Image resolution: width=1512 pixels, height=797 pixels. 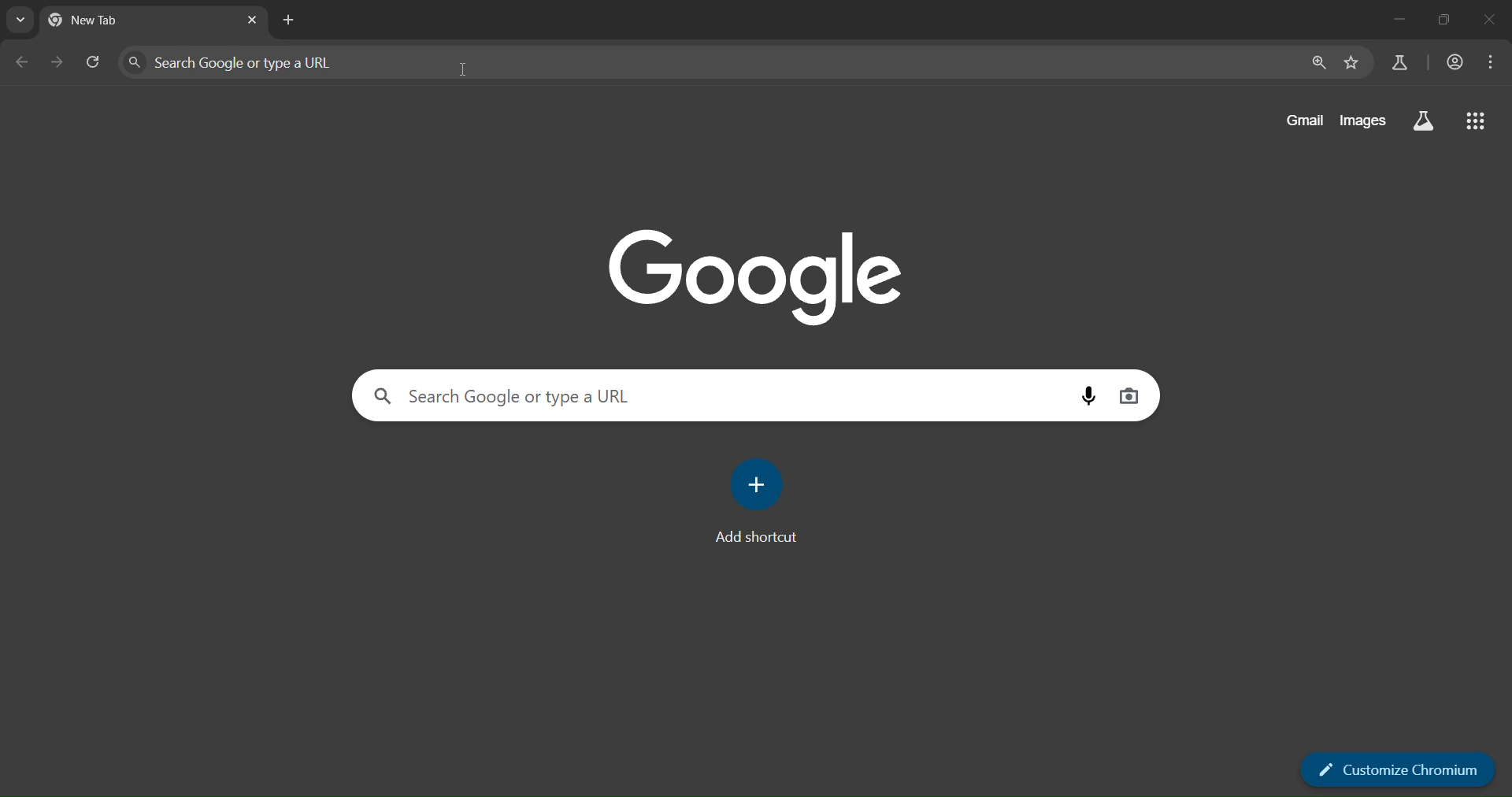 I want to click on search labs, so click(x=1425, y=120).